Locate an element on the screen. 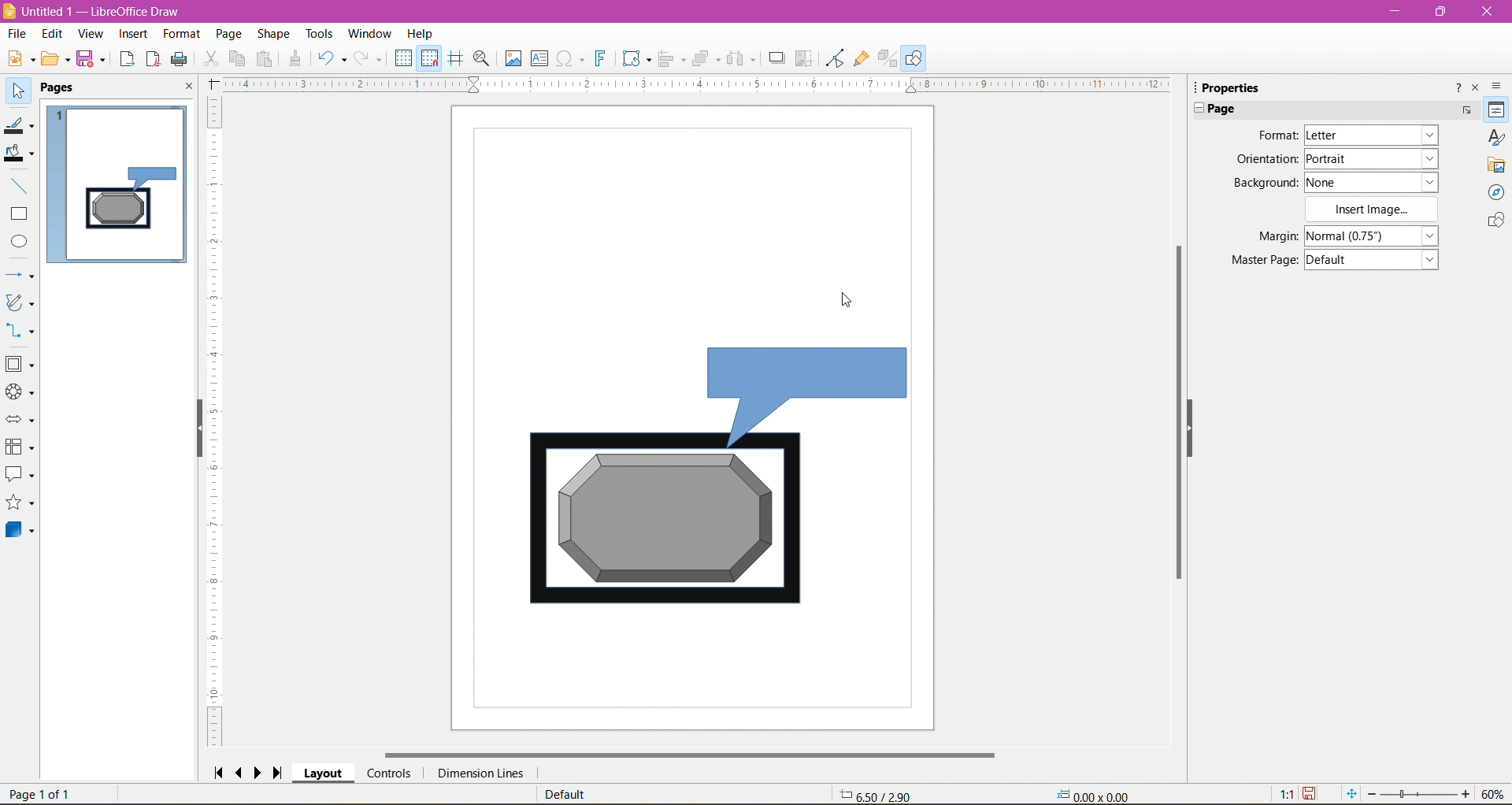 This screenshot has width=1512, height=805. Page 1 is located at coordinates (124, 180).